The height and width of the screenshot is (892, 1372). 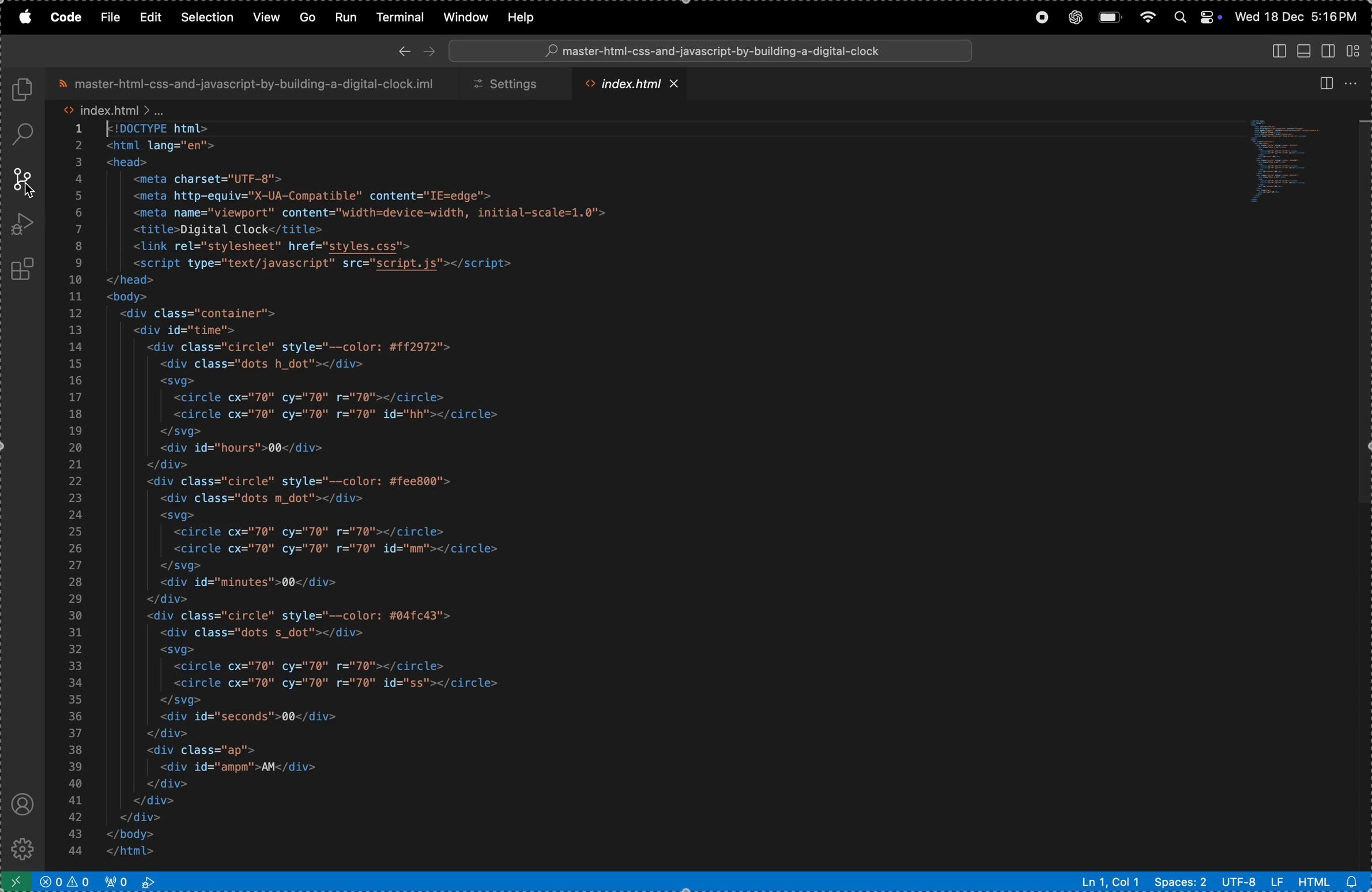 What do you see at coordinates (263, 364) in the screenshot?
I see `<div class="dots h_dot"></div>` at bounding box center [263, 364].